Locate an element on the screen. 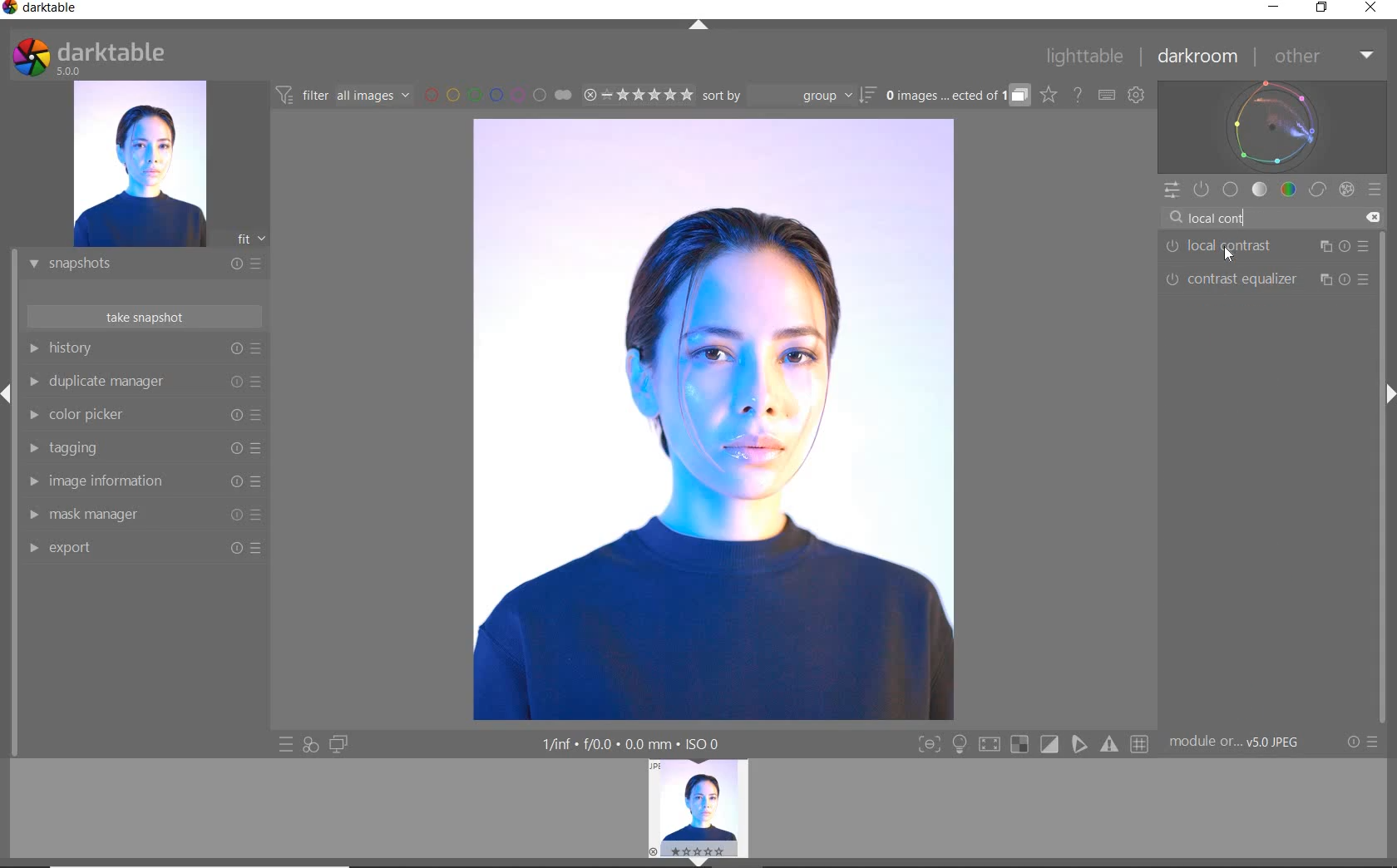 The height and width of the screenshot is (868, 1397). IMAGE PREVIEW is located at coordinates (139, 165).